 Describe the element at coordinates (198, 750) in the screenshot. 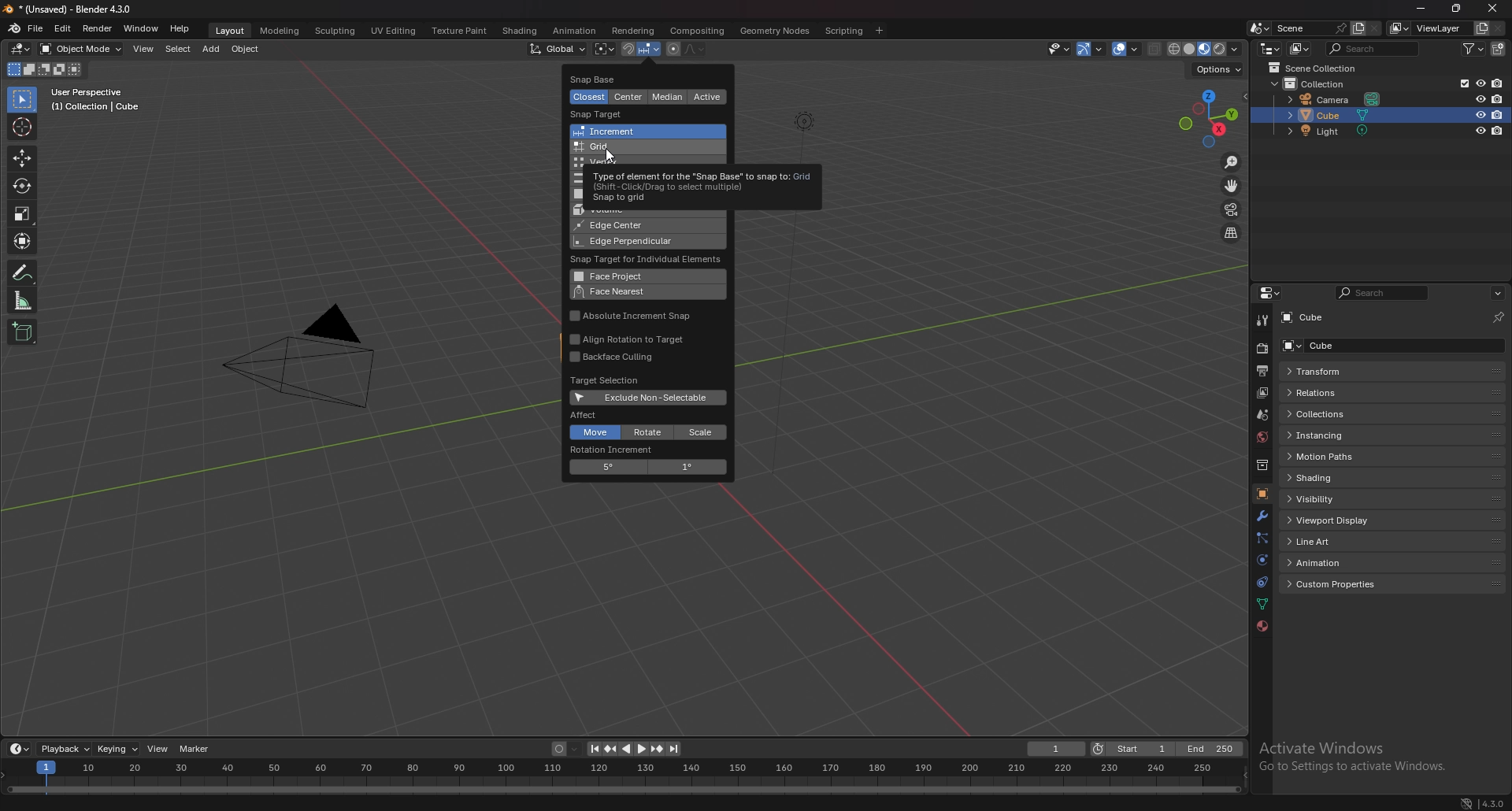

I see `marker` at that location.